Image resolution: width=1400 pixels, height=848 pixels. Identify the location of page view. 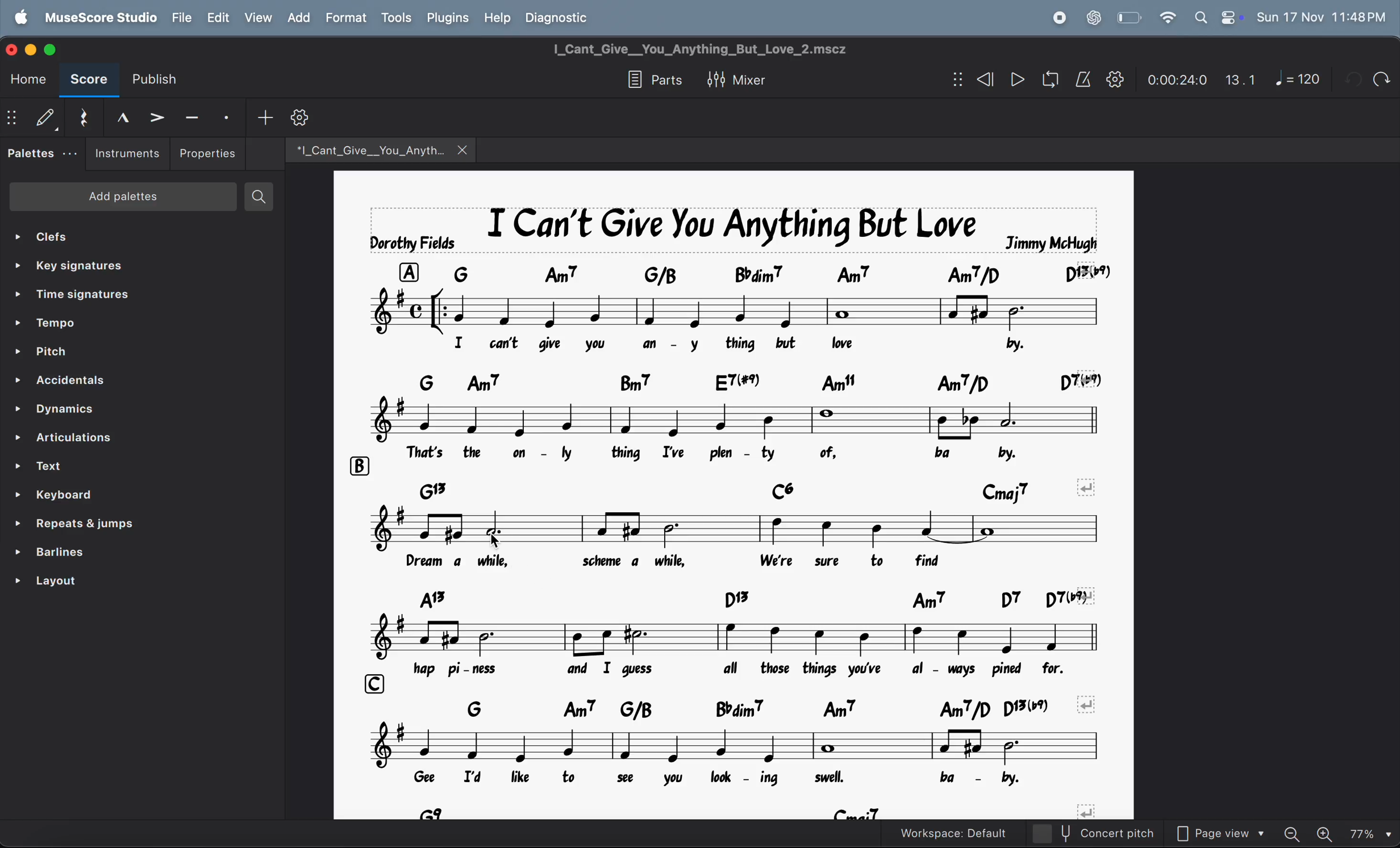
(1220, 833).